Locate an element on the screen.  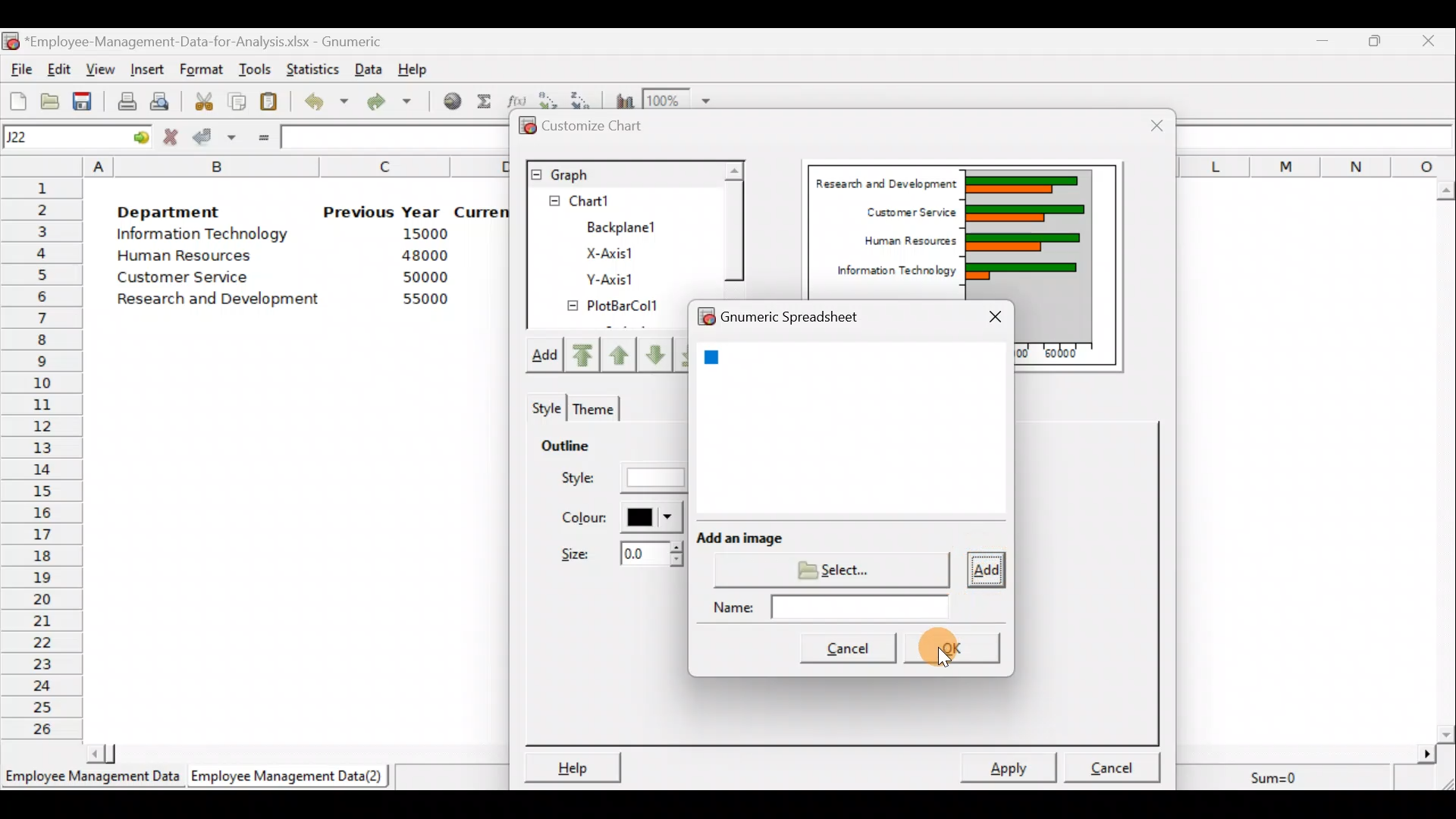
Undo last action is located at coordinates (328, 105).